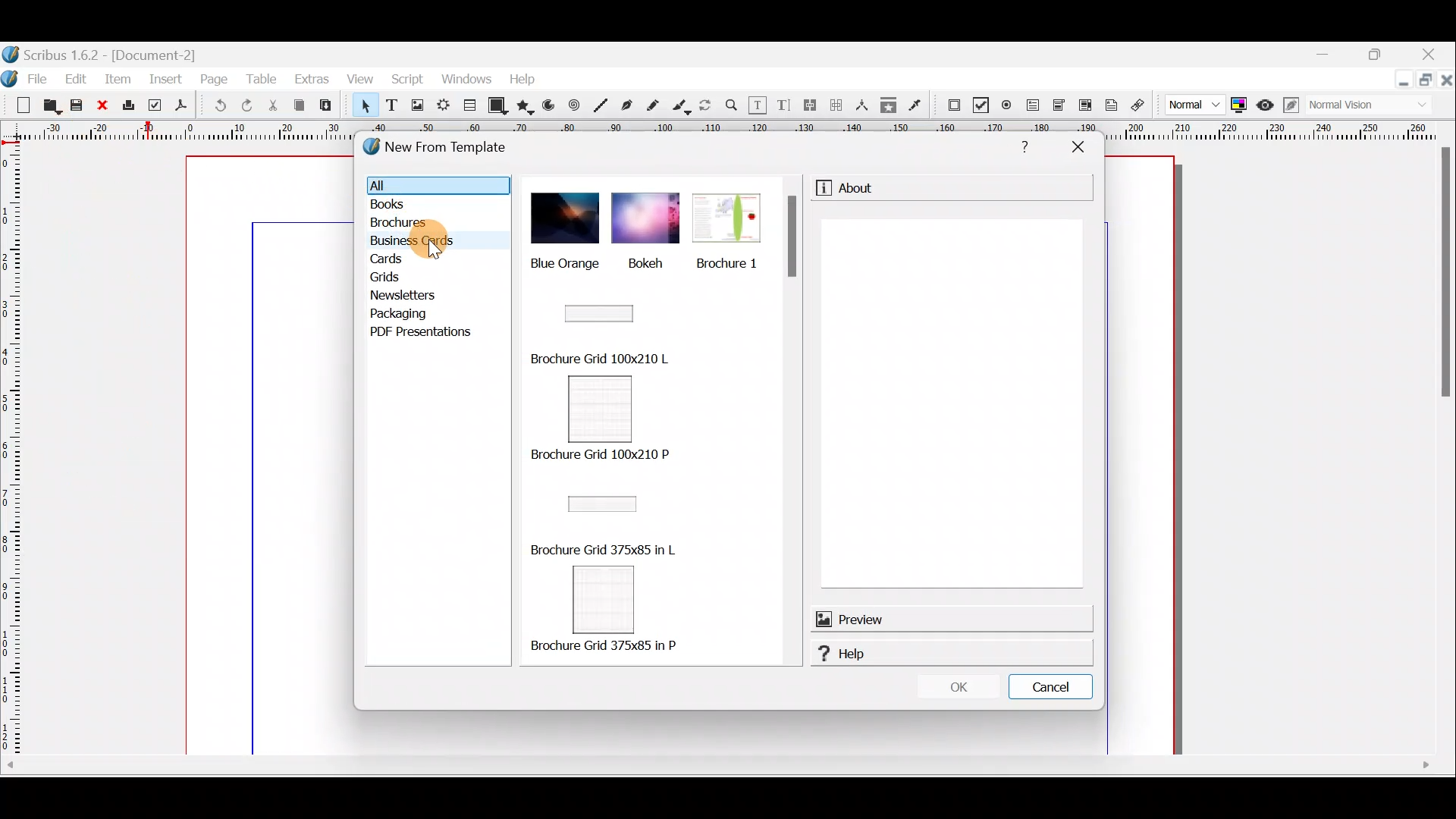  What do you see at coordinates (426, 243) in the screenshot?
I see `Business cards` at bounding box center [426, 243].